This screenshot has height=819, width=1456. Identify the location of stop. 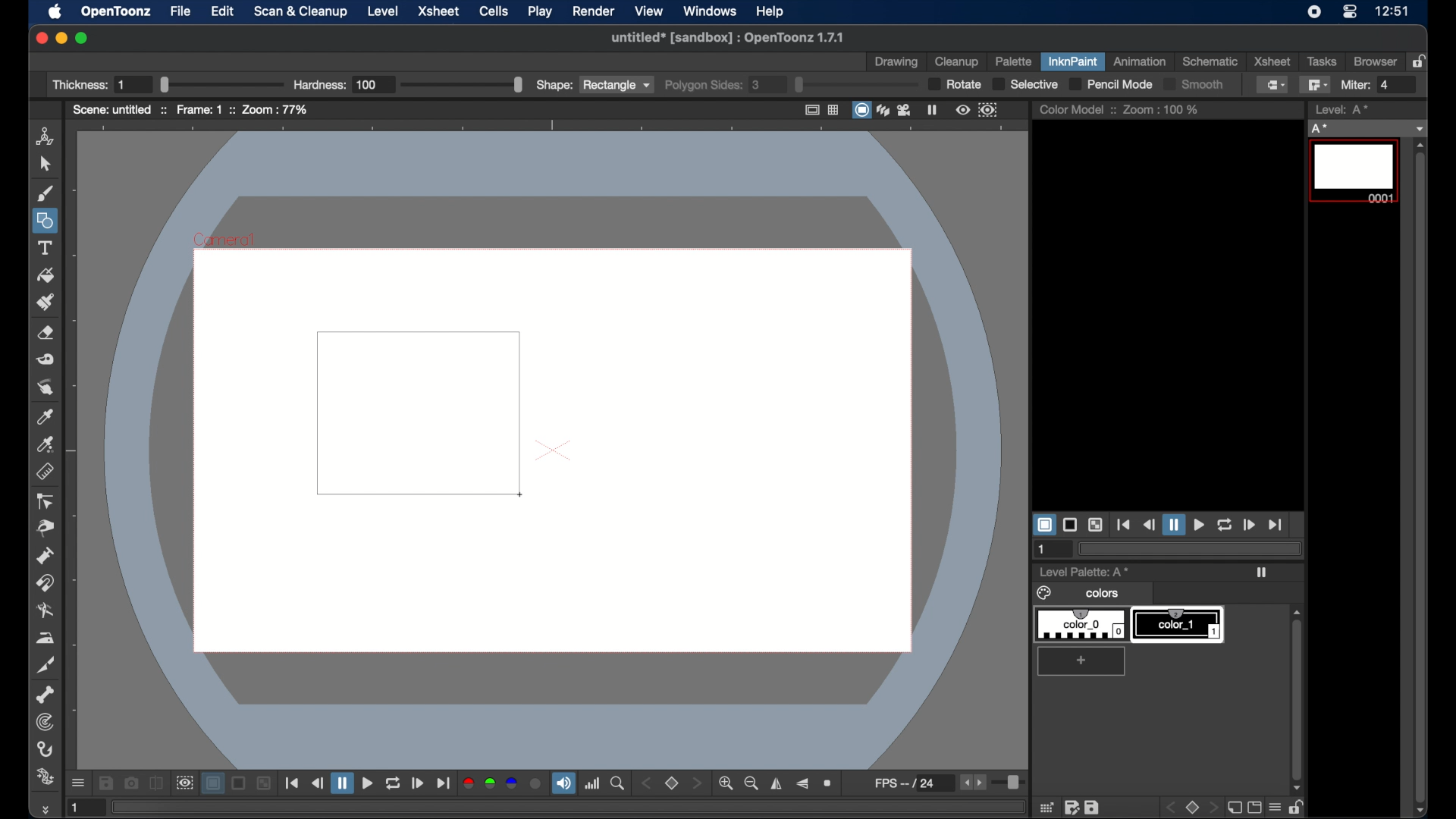
(1194, 807).